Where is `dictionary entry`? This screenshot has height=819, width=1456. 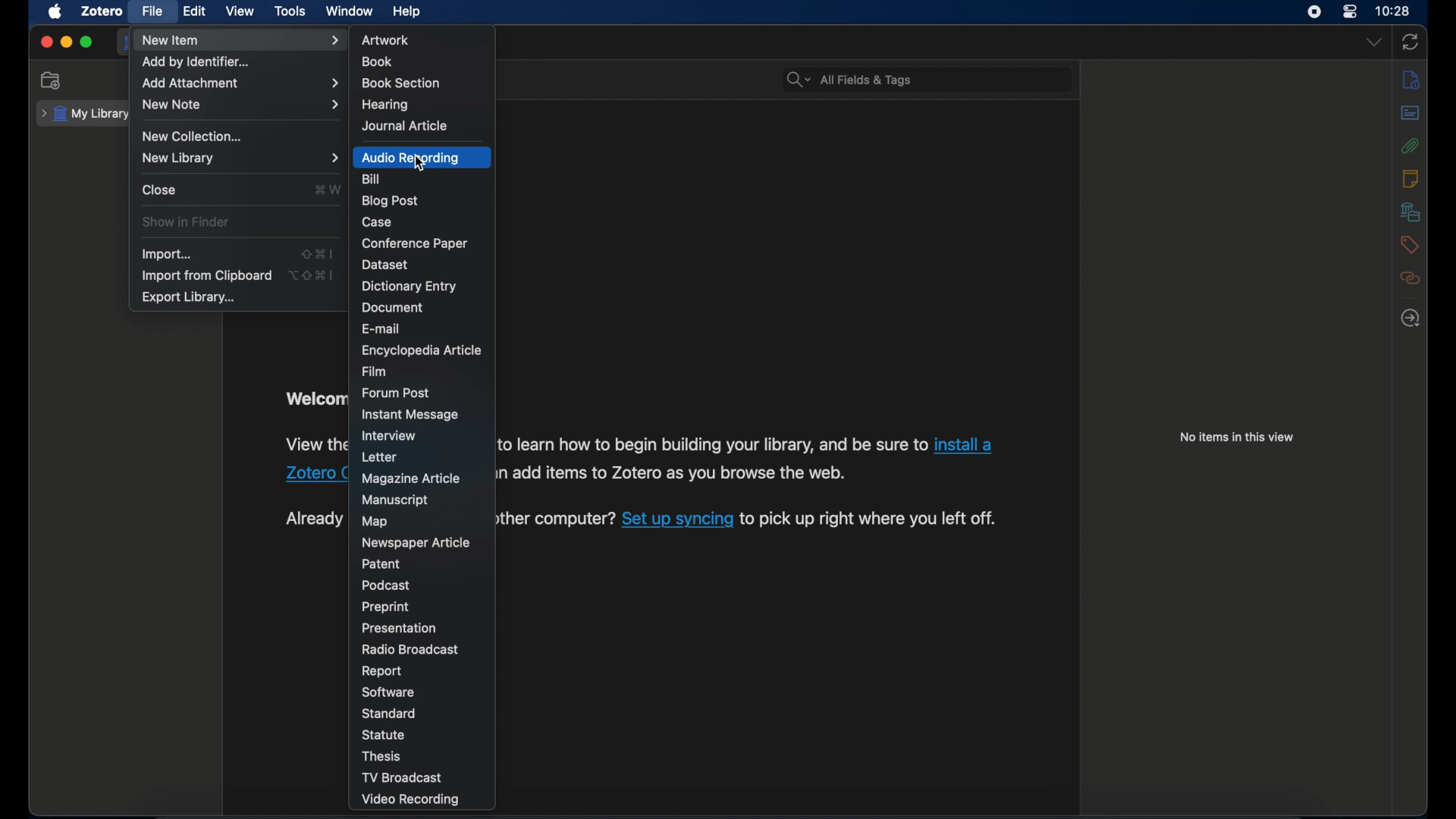 dictionary entry is located at coordinates (409, 286).